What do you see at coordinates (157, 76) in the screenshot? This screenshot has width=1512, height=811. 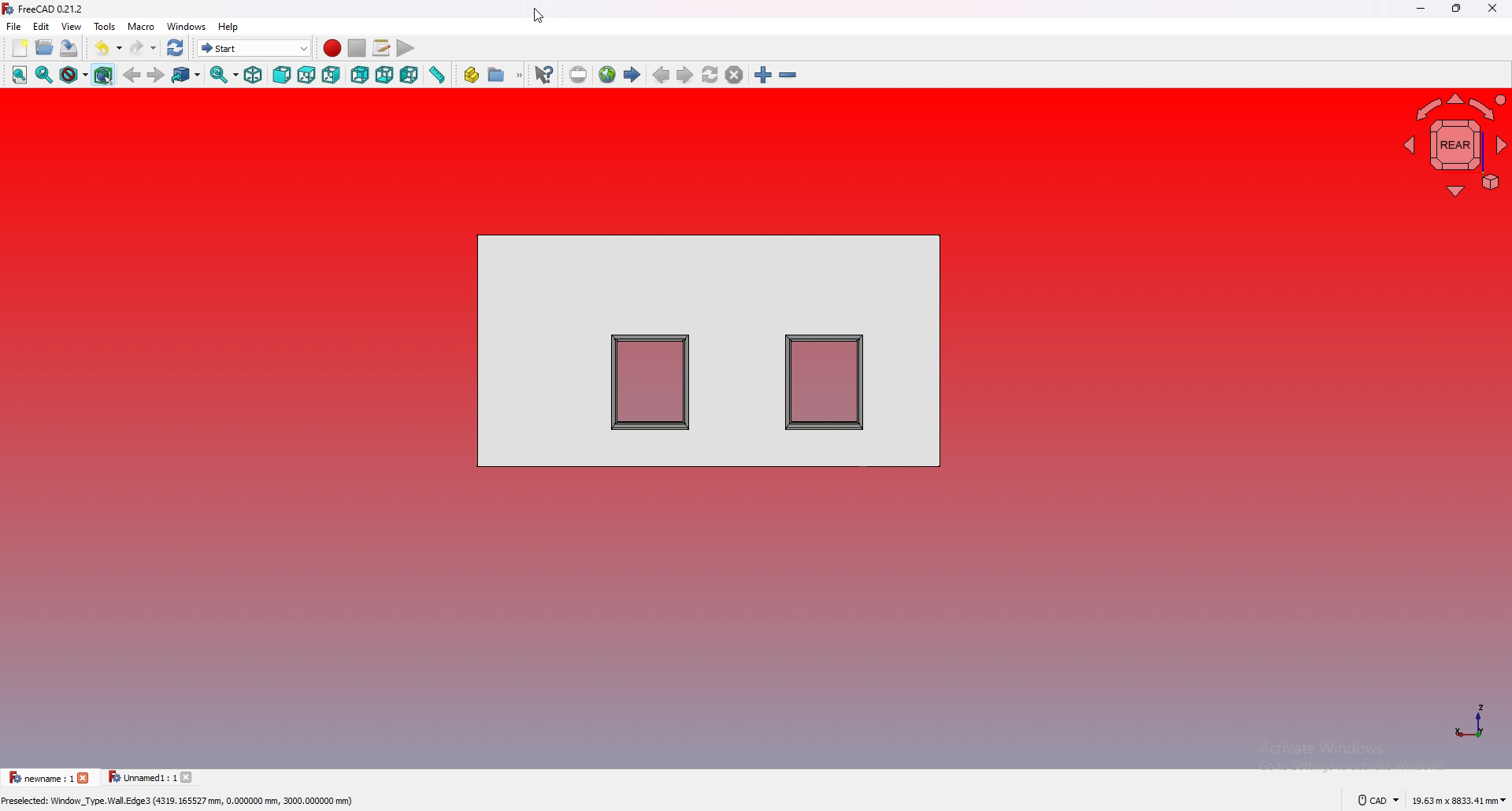 I see `forward` at bounding box center [157, 76].